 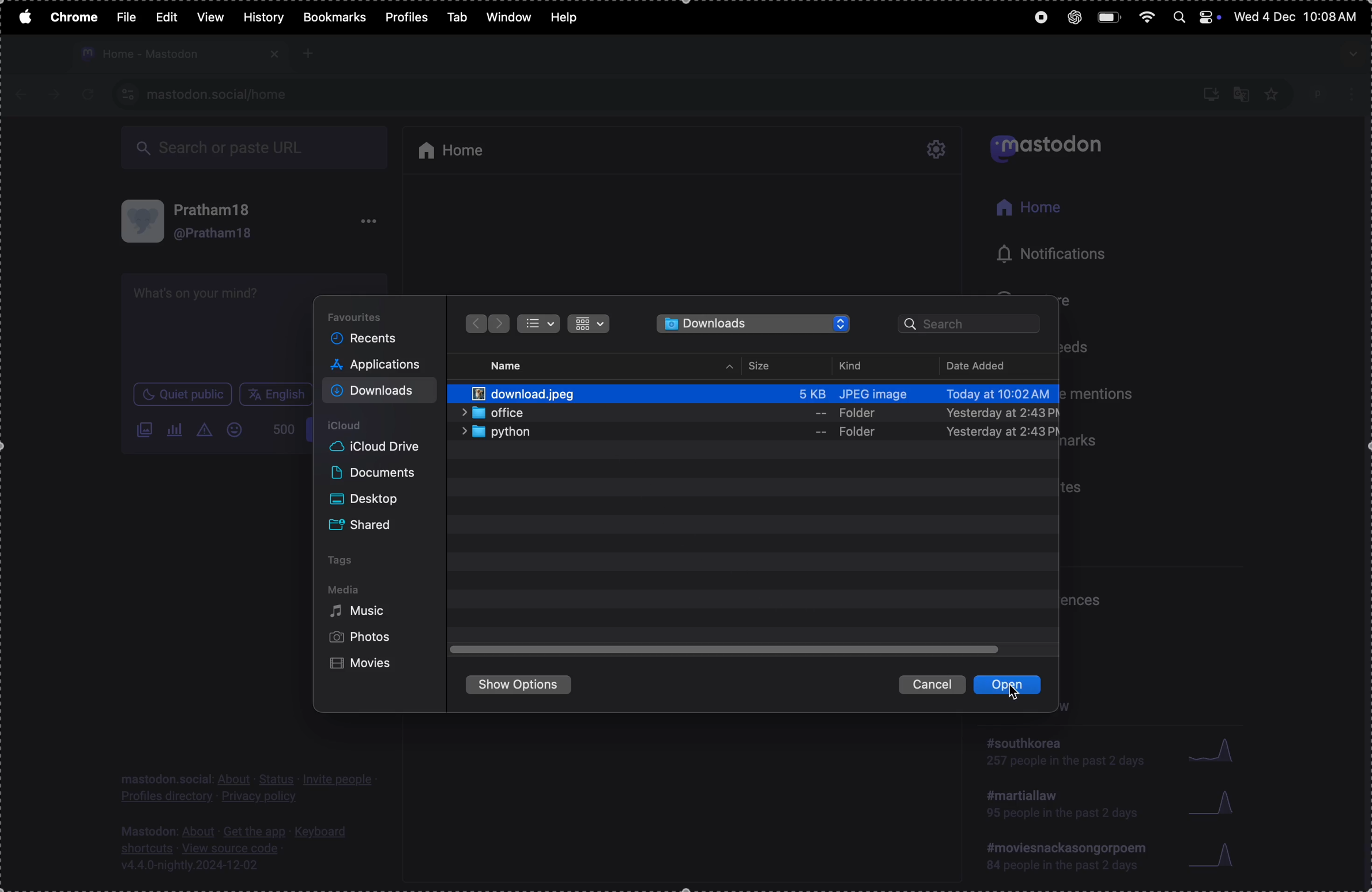 I want to click on scrollbar, so click(x=1363, y=501).